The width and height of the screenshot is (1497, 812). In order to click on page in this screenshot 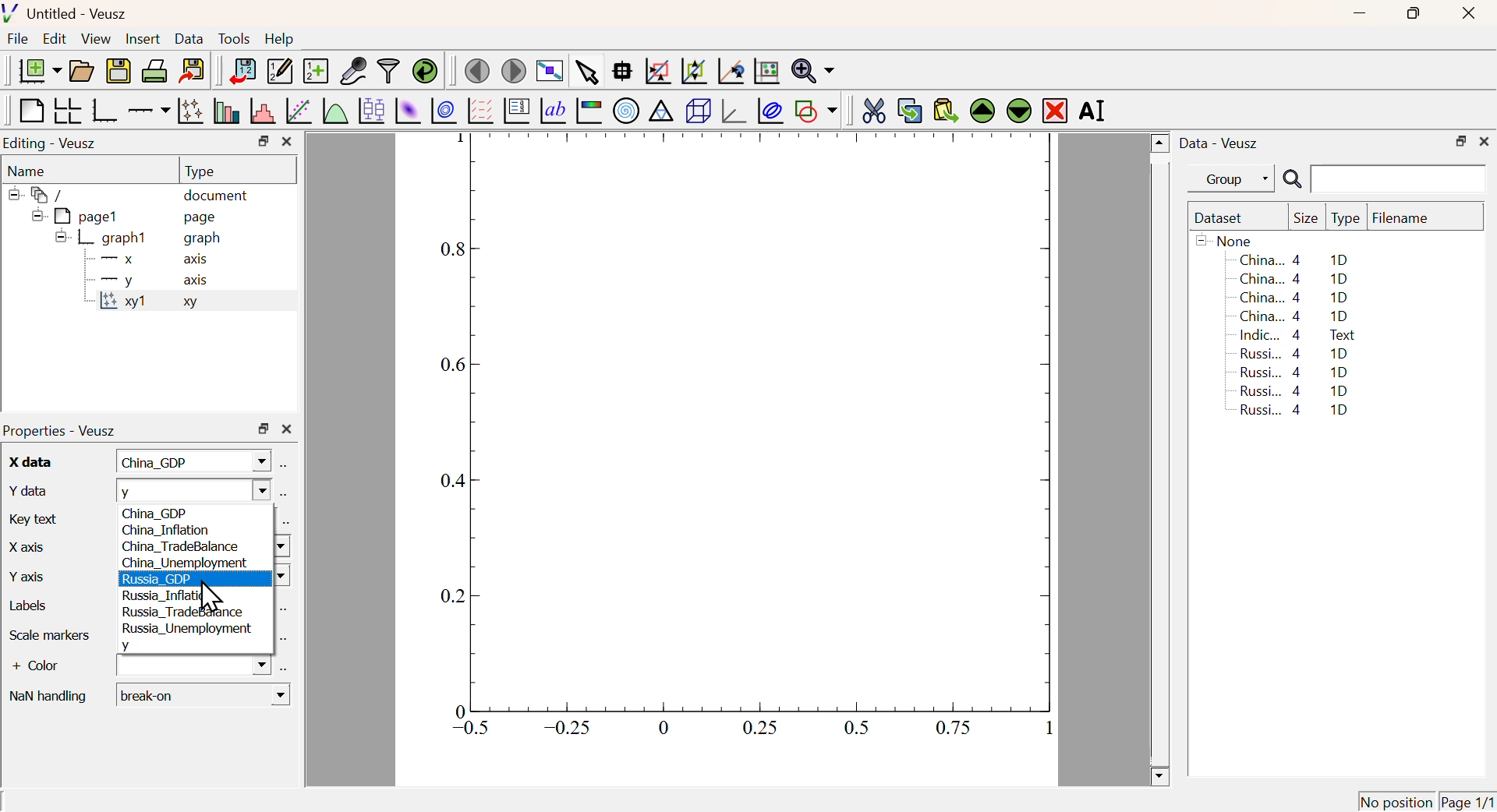, I will do `click(203, 217)`.